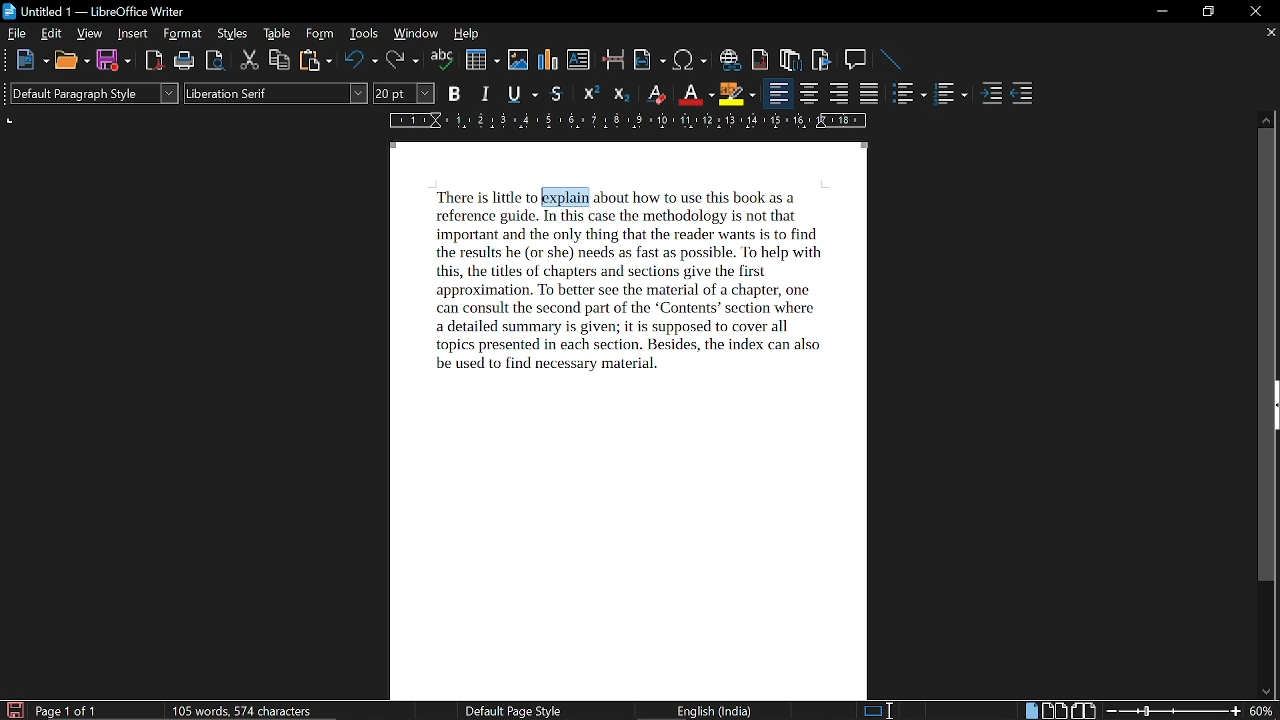 The image size is (1280, 720). Describe the element at coordinates (487, 94) in the screenshot. I see `italic` at that location.